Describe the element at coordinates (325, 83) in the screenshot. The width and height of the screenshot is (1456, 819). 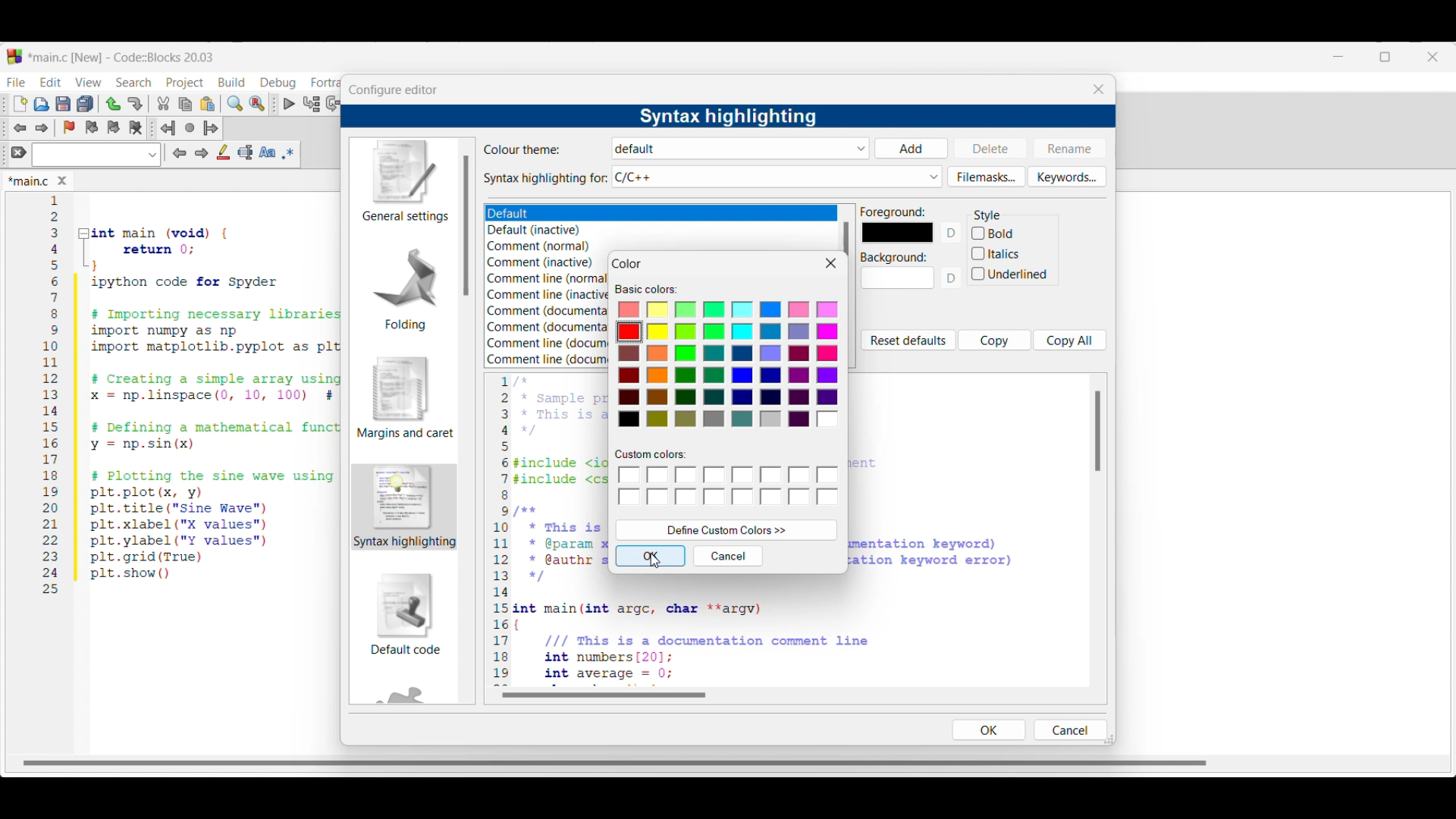
I see `Fortran menu ` at that location.